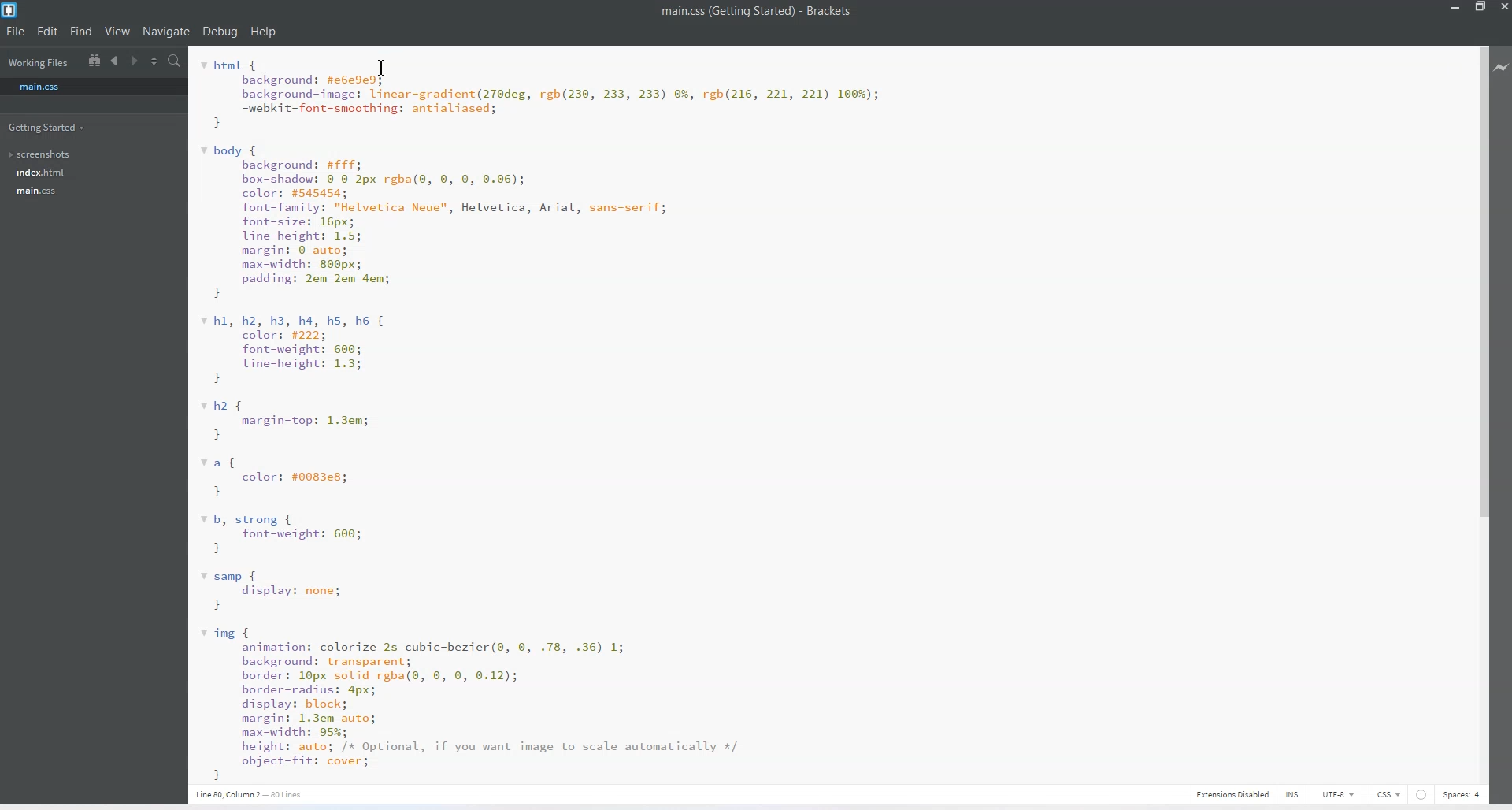  Describe the element at coordinates (83, 32) in the screenshot. I see `Find` at that location.